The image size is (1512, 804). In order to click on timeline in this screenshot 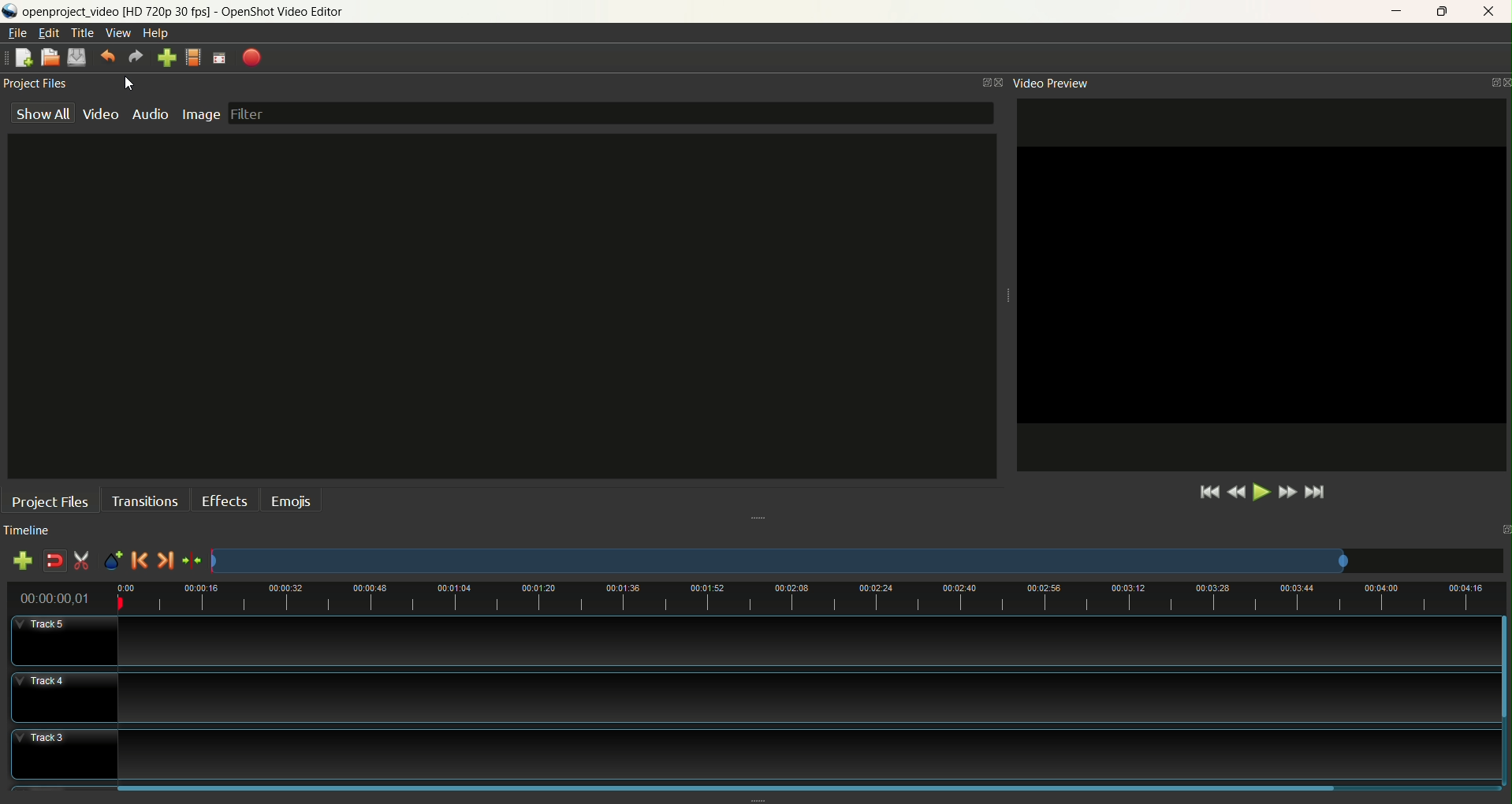, I will do `click(37, 527)`.